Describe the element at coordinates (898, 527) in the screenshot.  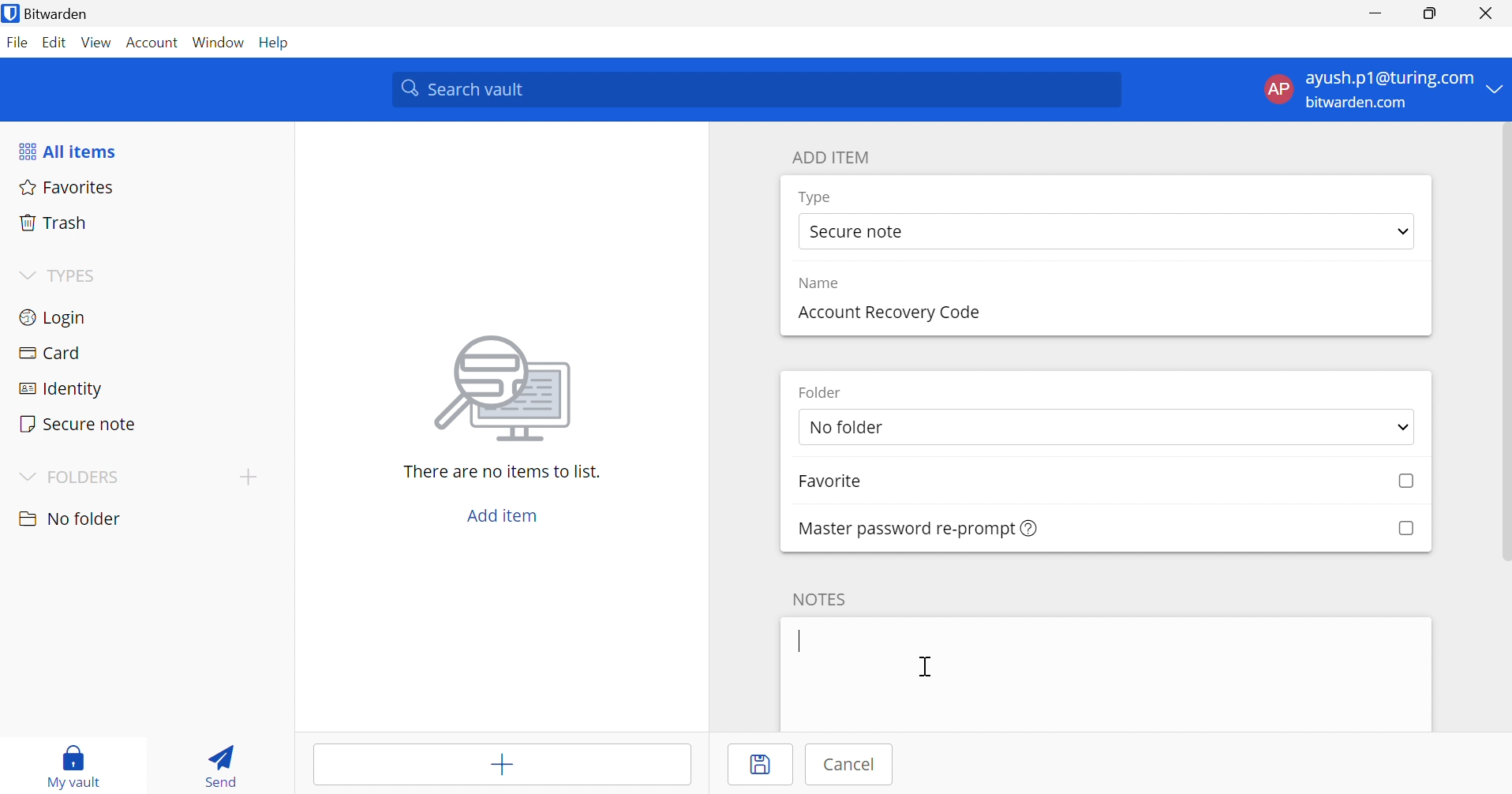
I see `Master password re-prompt @` at that location.